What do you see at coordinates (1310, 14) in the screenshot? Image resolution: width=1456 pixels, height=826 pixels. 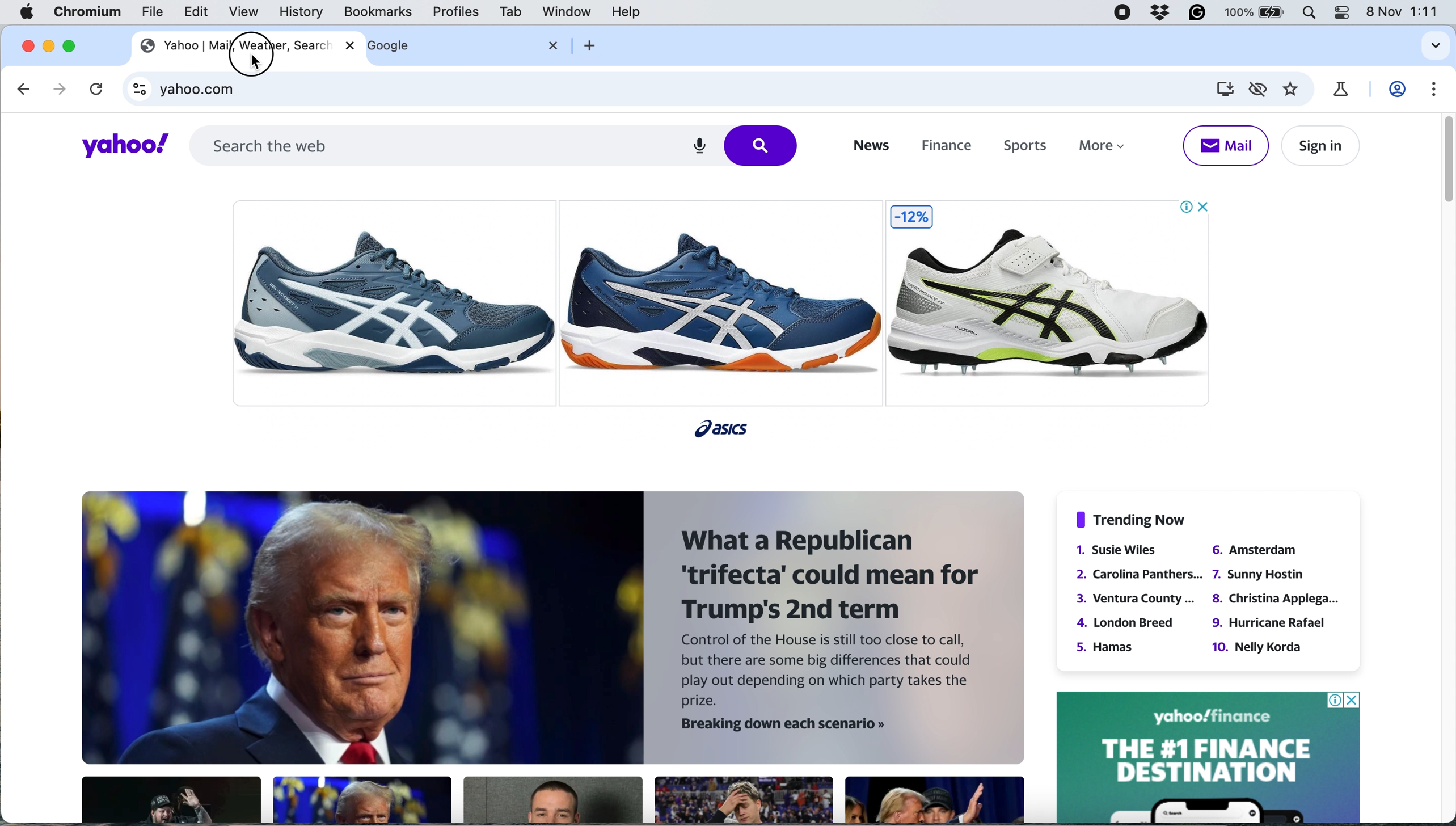 I see `spotlight search` at bounding box center [1310, 14].